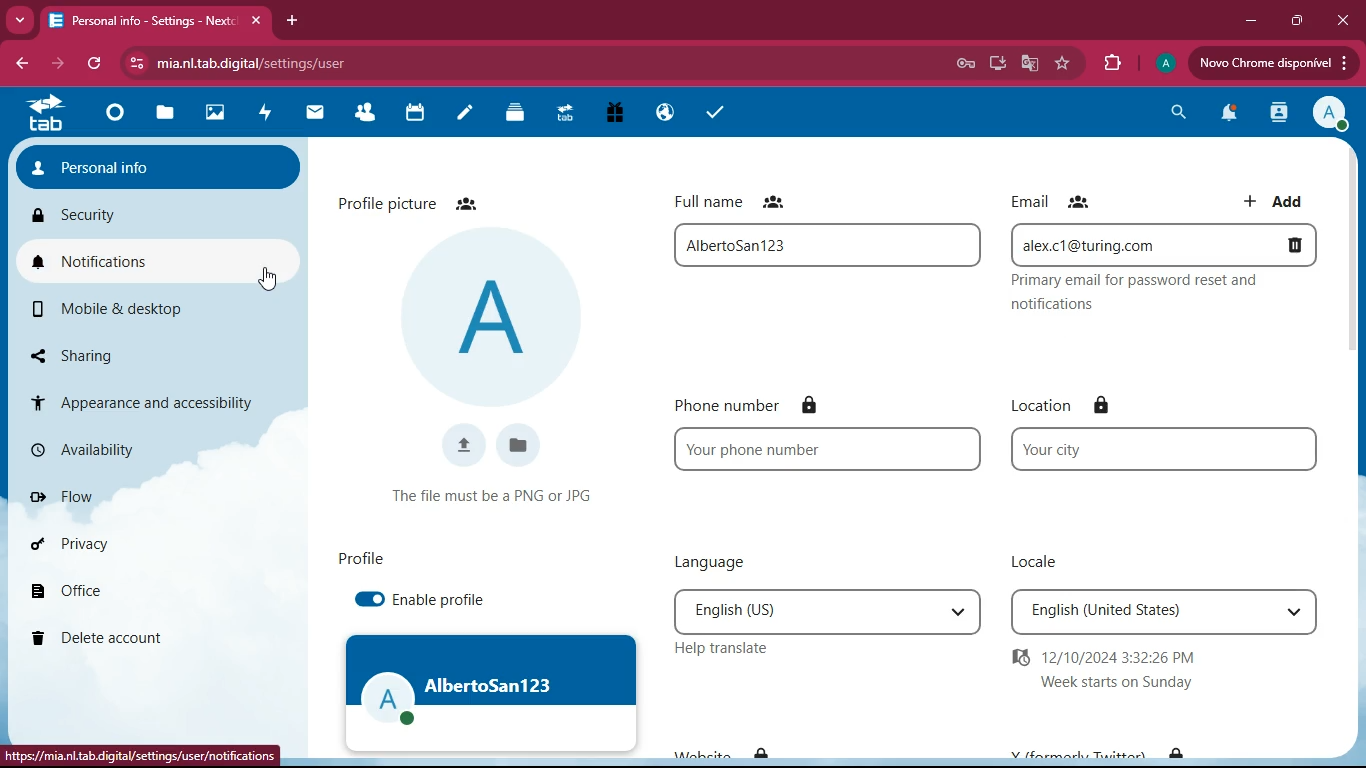 This screenshot has width=1366, height=768. I want to click on email, so click(1169, 295).